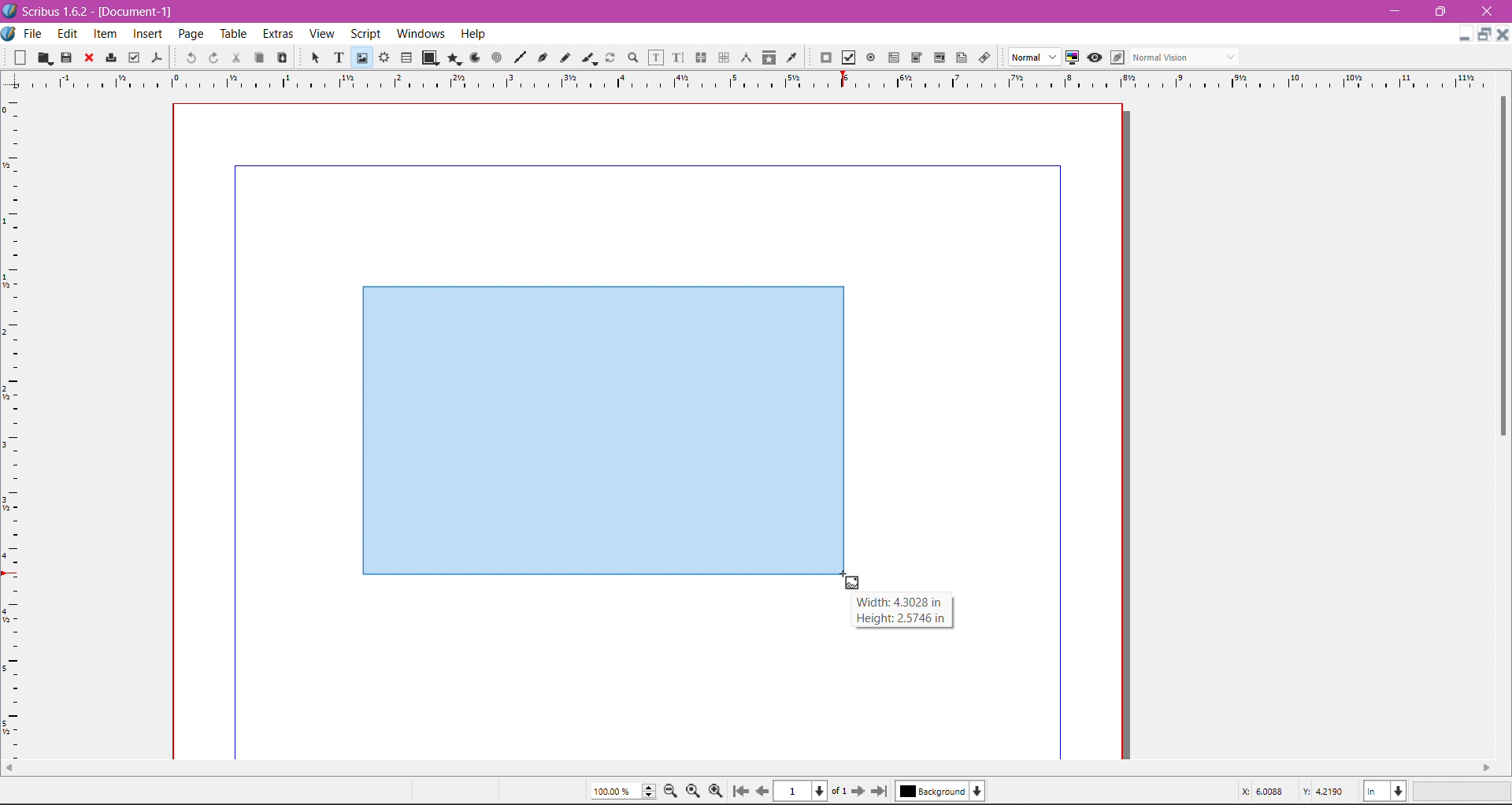  I want to click on Polygon, so click(454, 59).